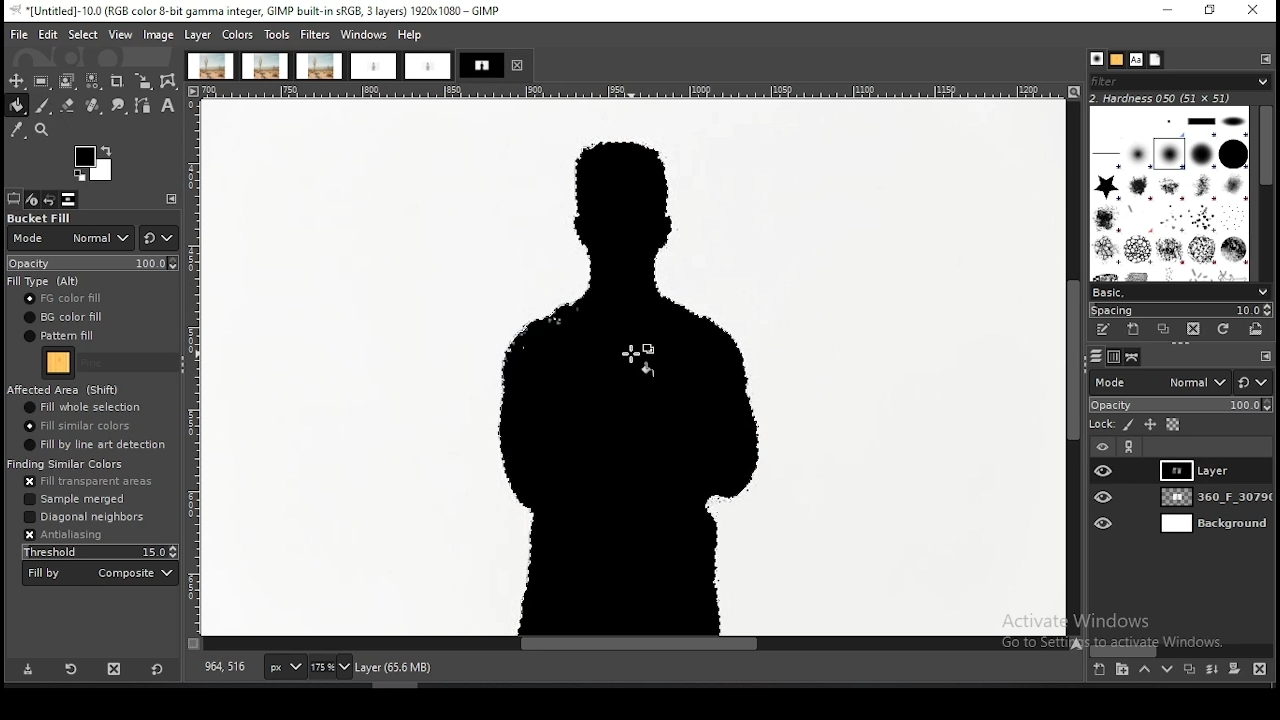  What do you see at coordinates (1187, 668) in the screenshot?
I see `duplicate layer` at bounding box center [1187, 668].